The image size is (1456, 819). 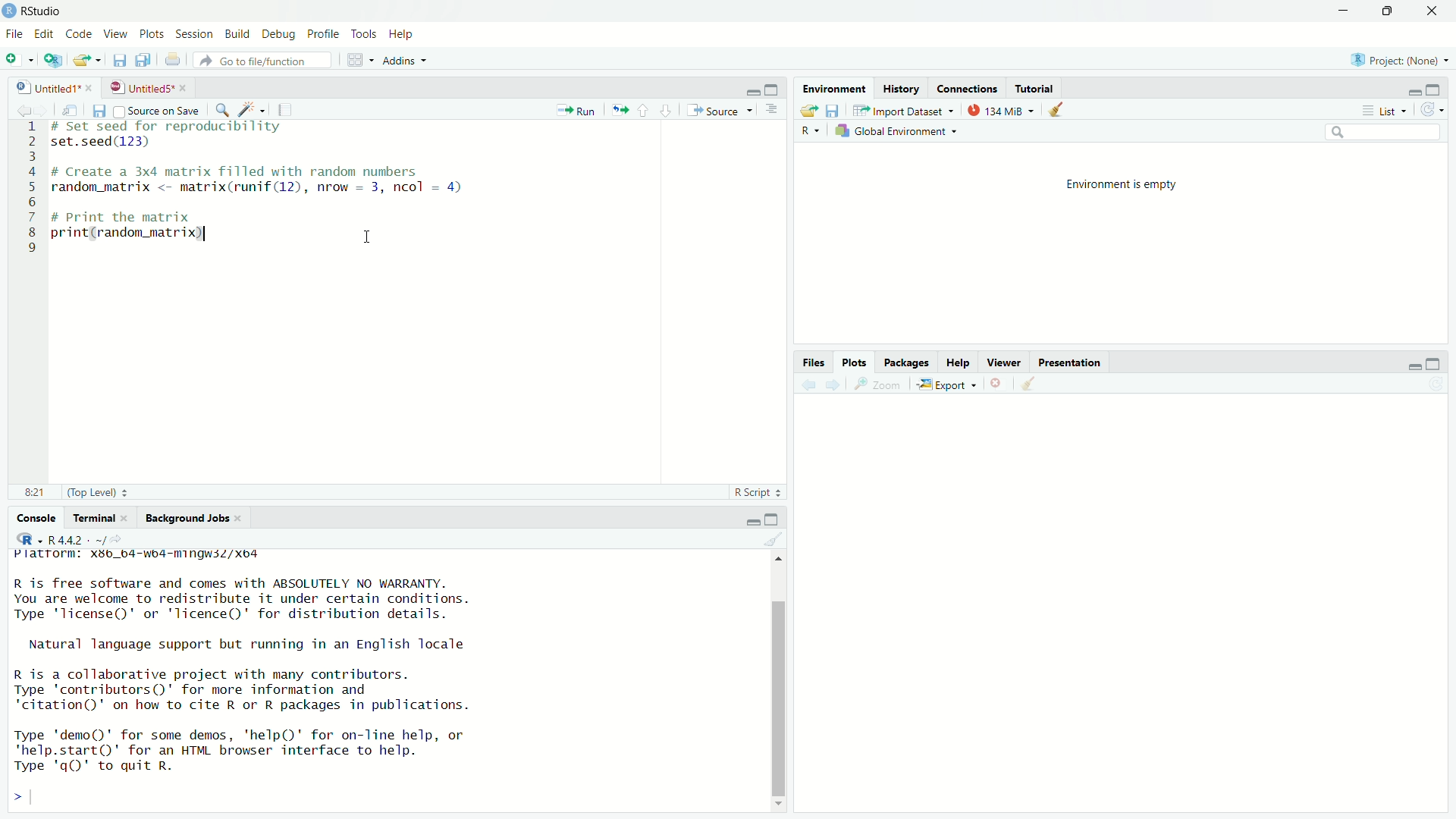 What do you see at coordinates (667, 109) in the screenshot?
I see `downward` at bounding box center [667, 109].